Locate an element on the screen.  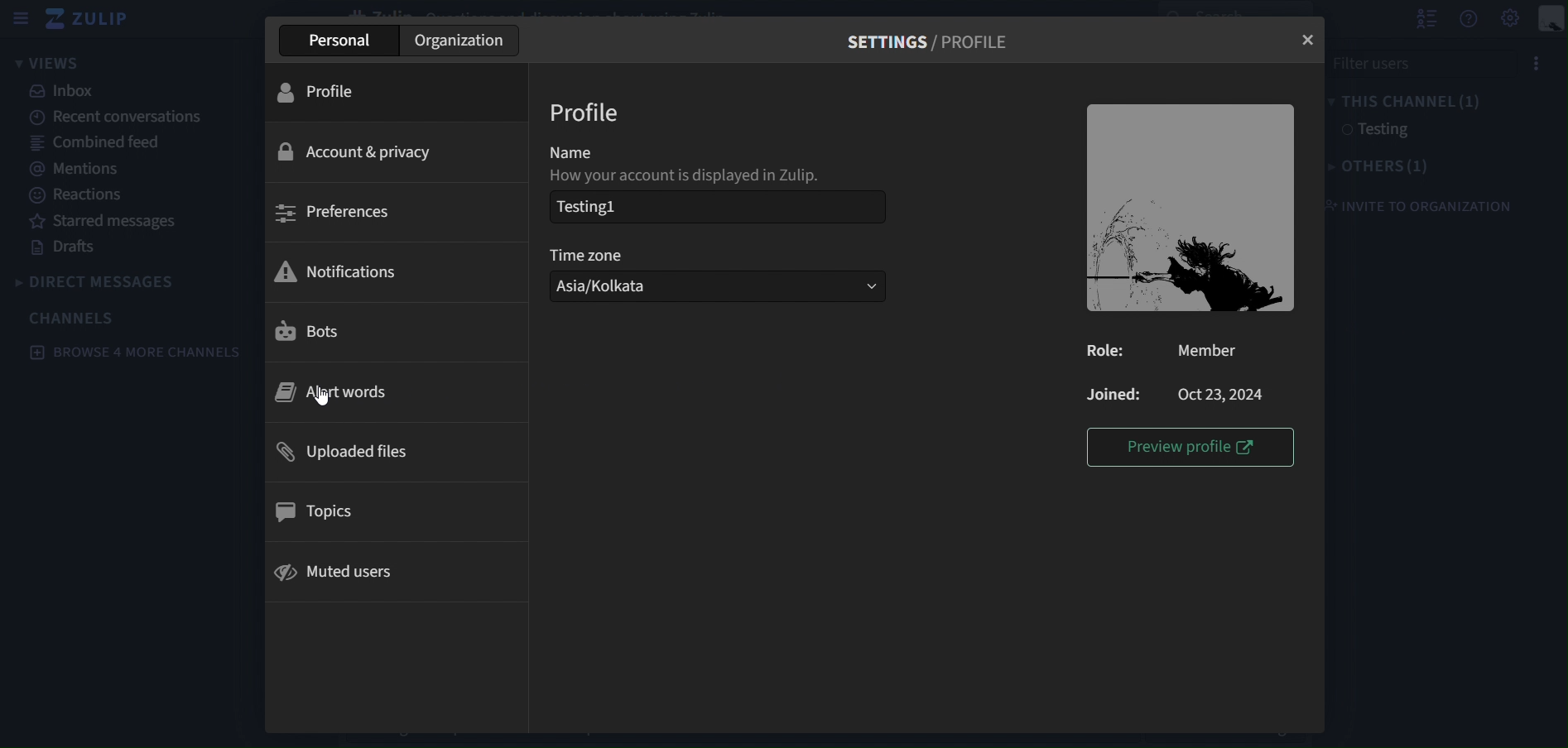
preview profile is located at coordinates (1190, 448).